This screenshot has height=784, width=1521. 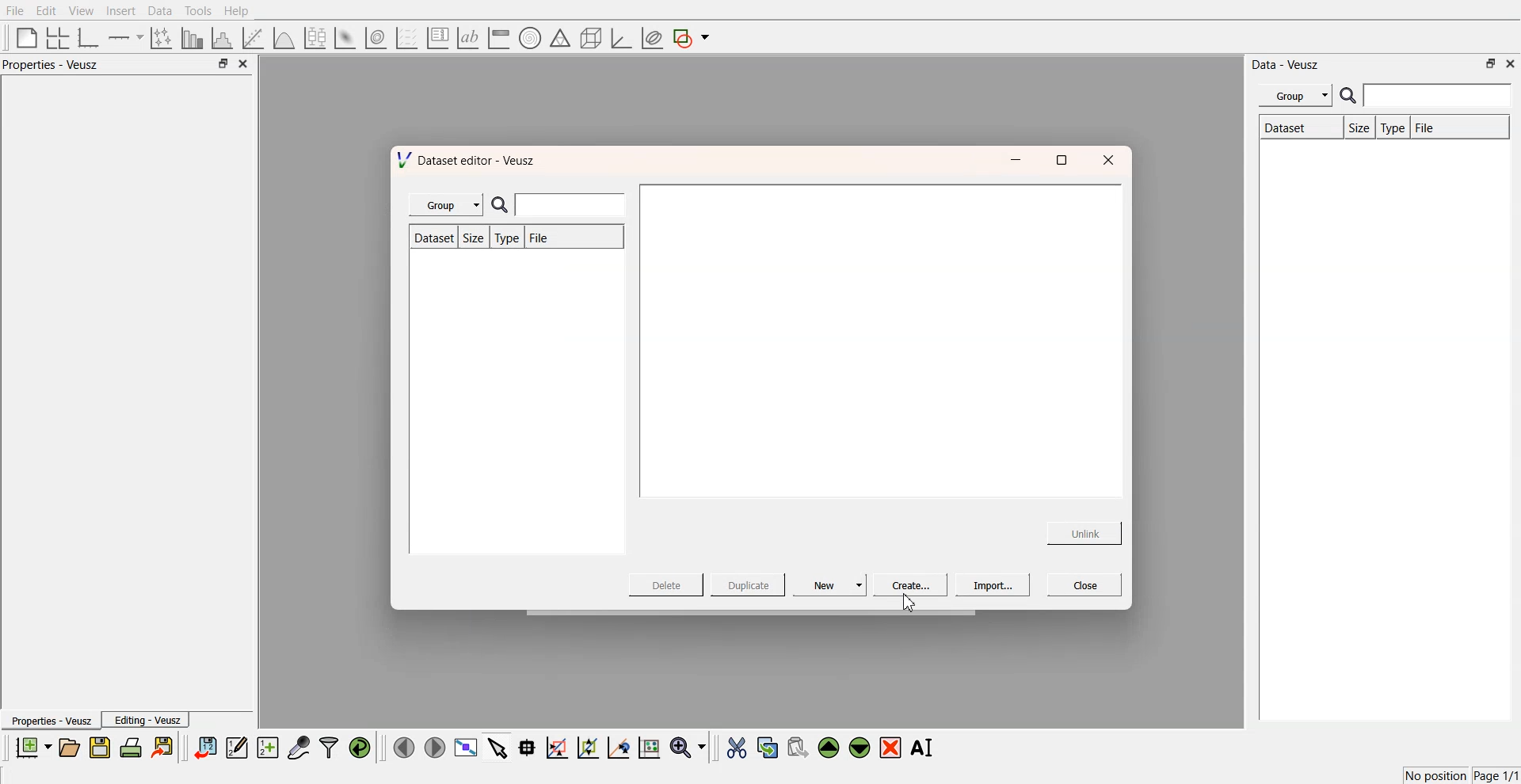 What do you see at coordinates (527, 748) in the screenshot?
I see `read data points` at bounding box center [527, 748].